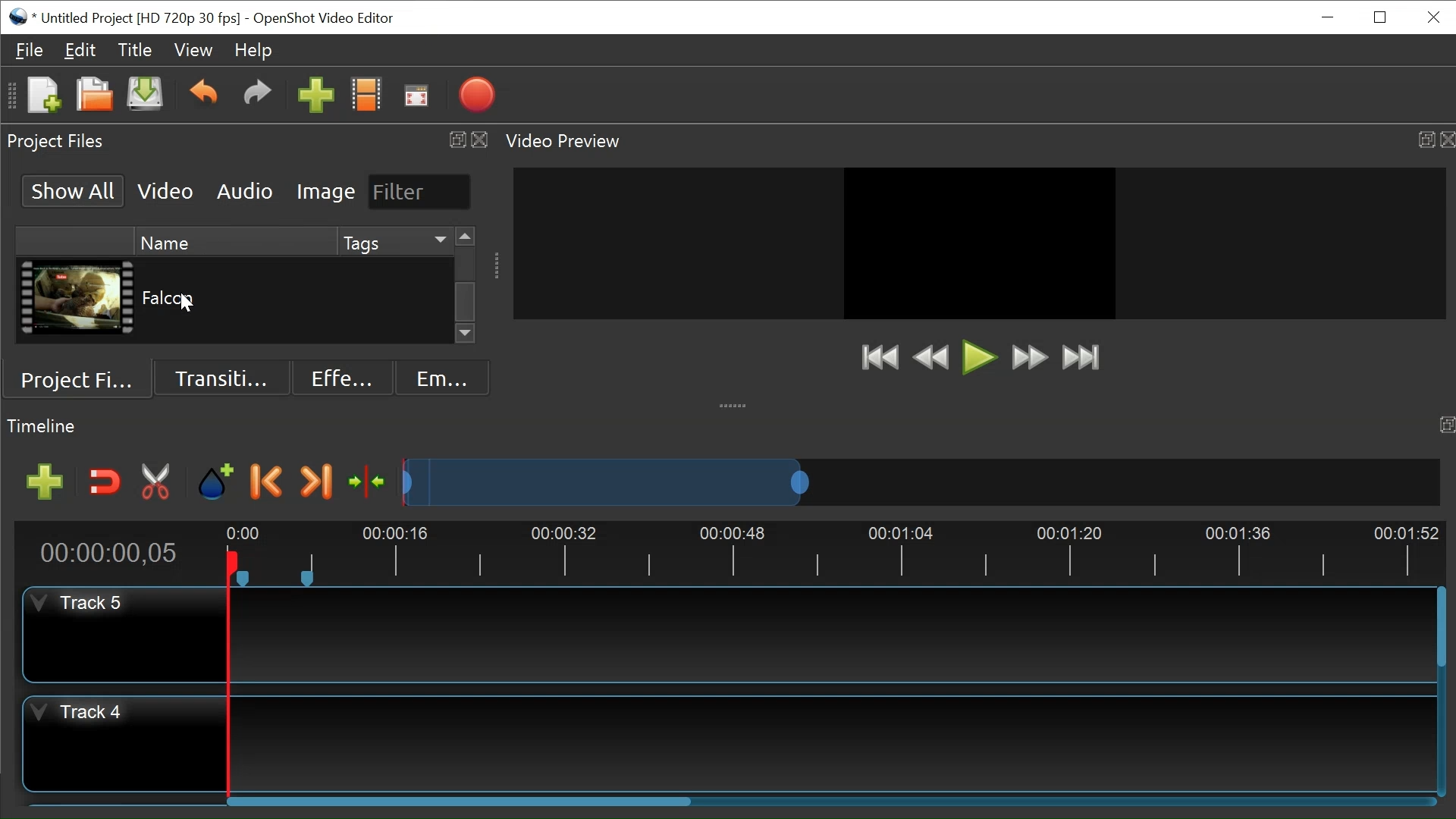 Image resolution: width=1456 pixels, height=819 pixels. Describe the element at coordinates (19, 15) in the screenshot. I see `OpenShot Desktop icon` at that location.